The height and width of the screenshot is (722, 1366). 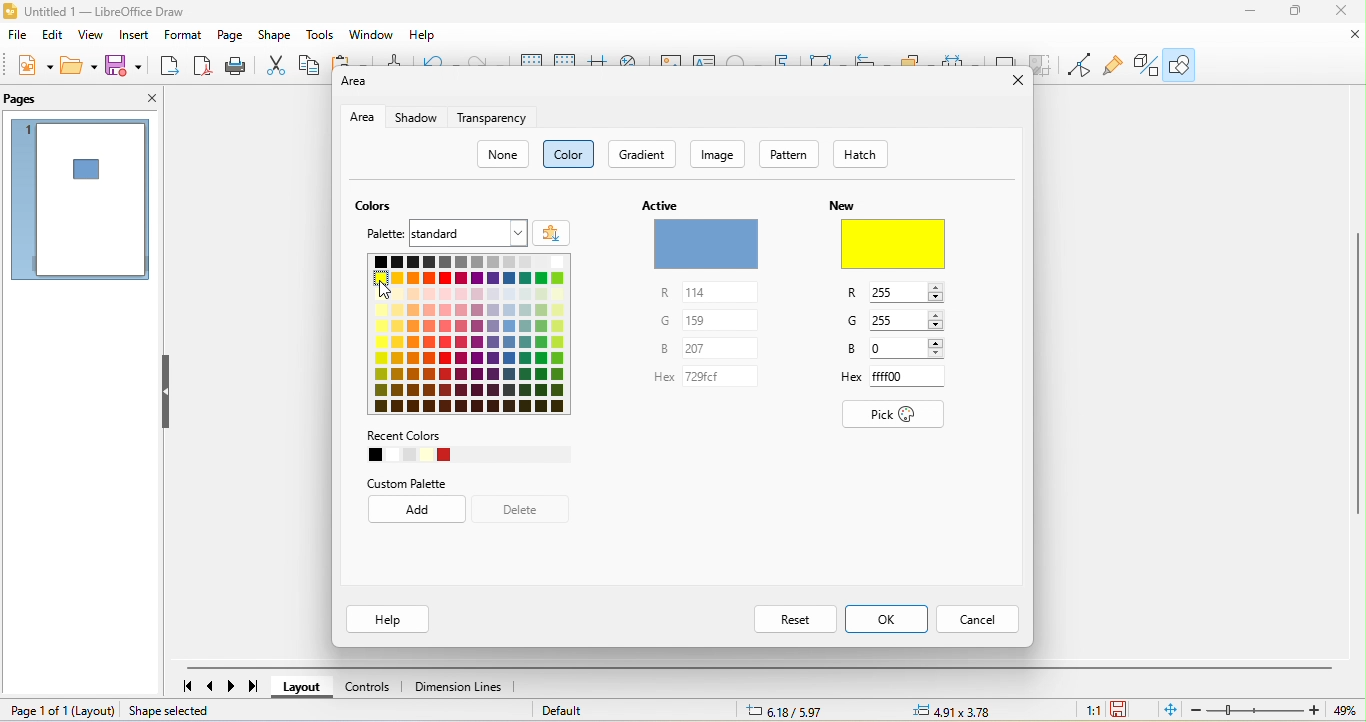 I want to click on color, so click(x=469, y=334).